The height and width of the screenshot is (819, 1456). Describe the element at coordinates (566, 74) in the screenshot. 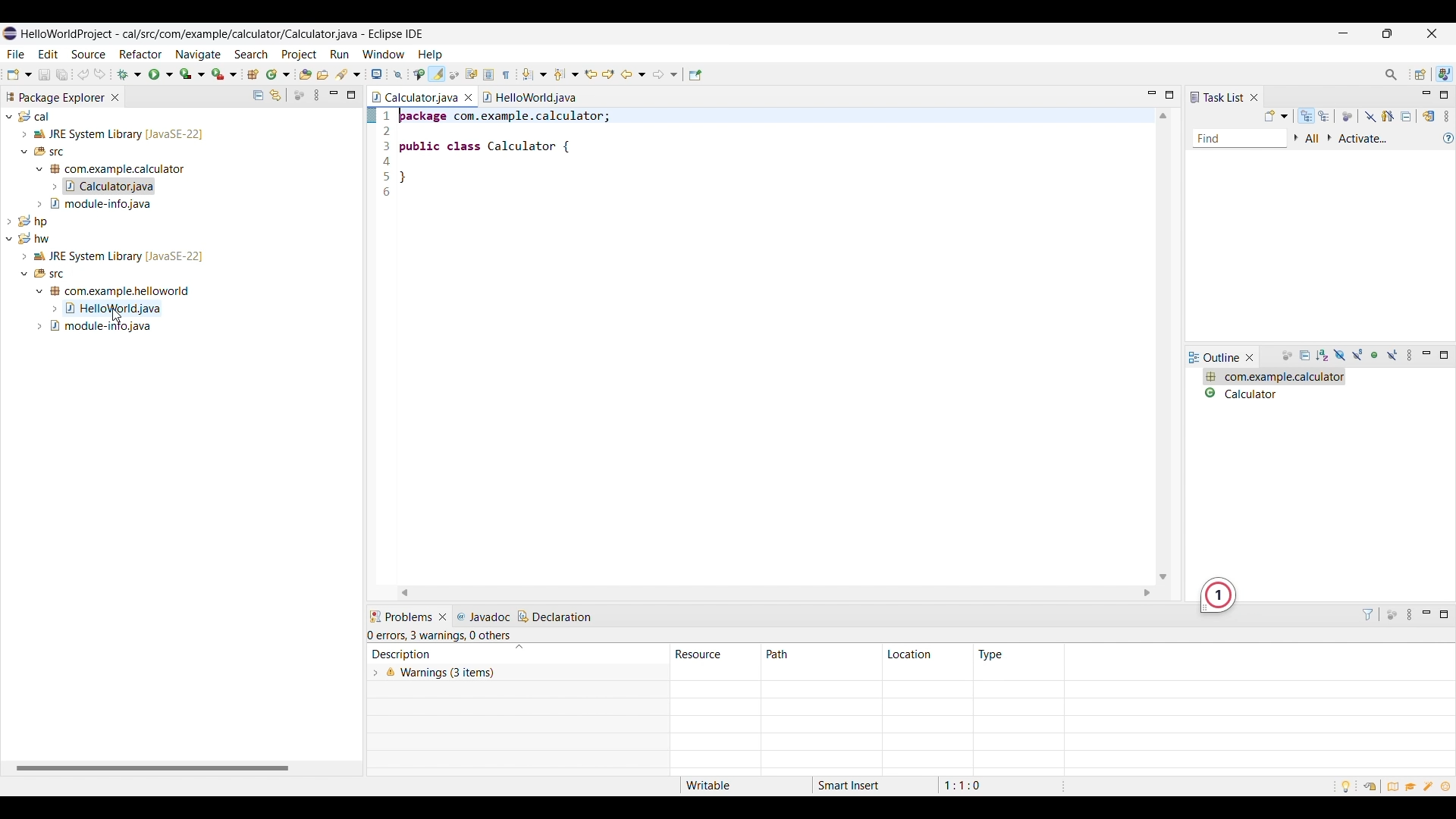

I see `Previous annotation options` at that location.